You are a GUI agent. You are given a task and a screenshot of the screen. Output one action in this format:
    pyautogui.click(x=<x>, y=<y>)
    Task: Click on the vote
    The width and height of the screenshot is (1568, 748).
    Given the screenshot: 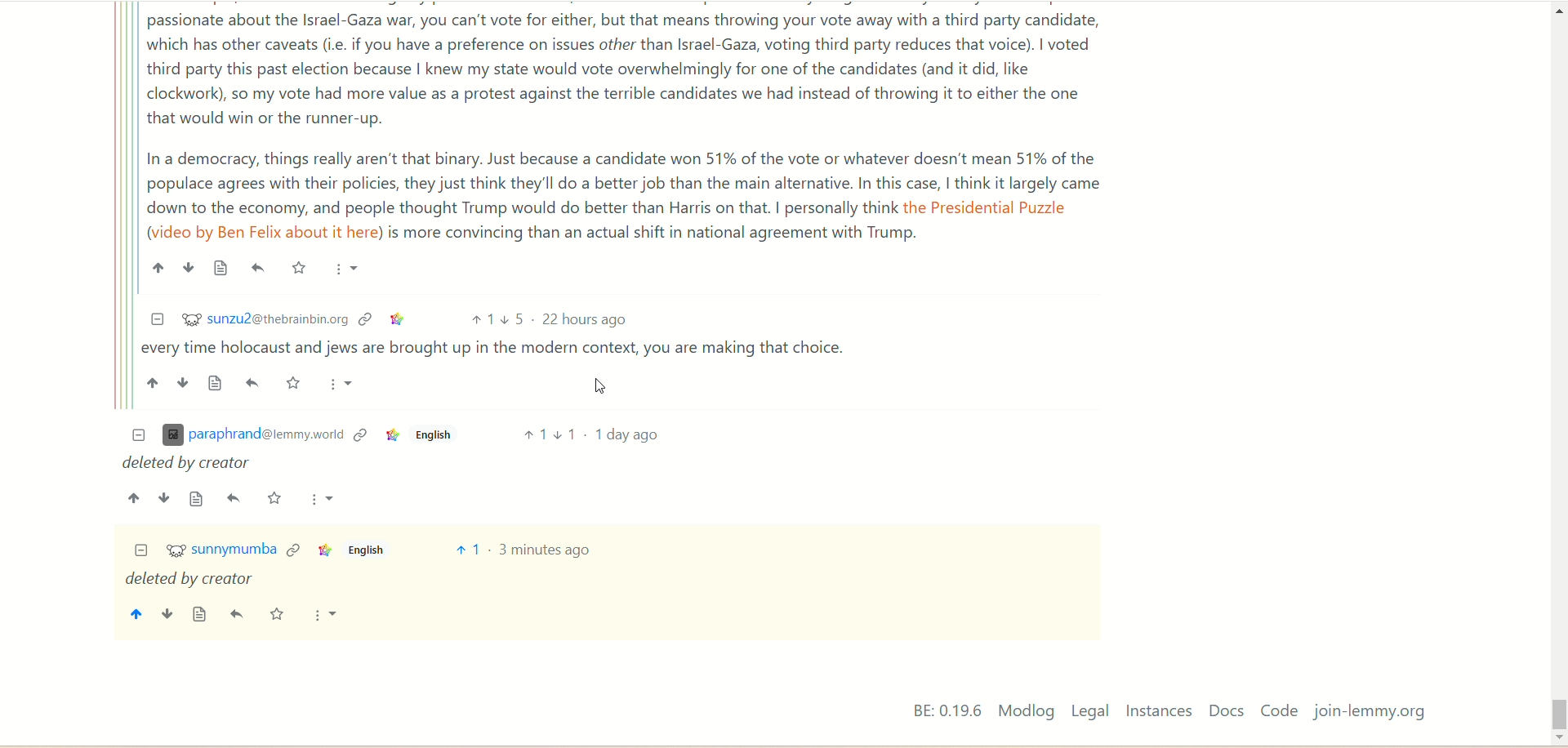 What is the action you would take?
    pyautogui.click(x=467, y=550)
    